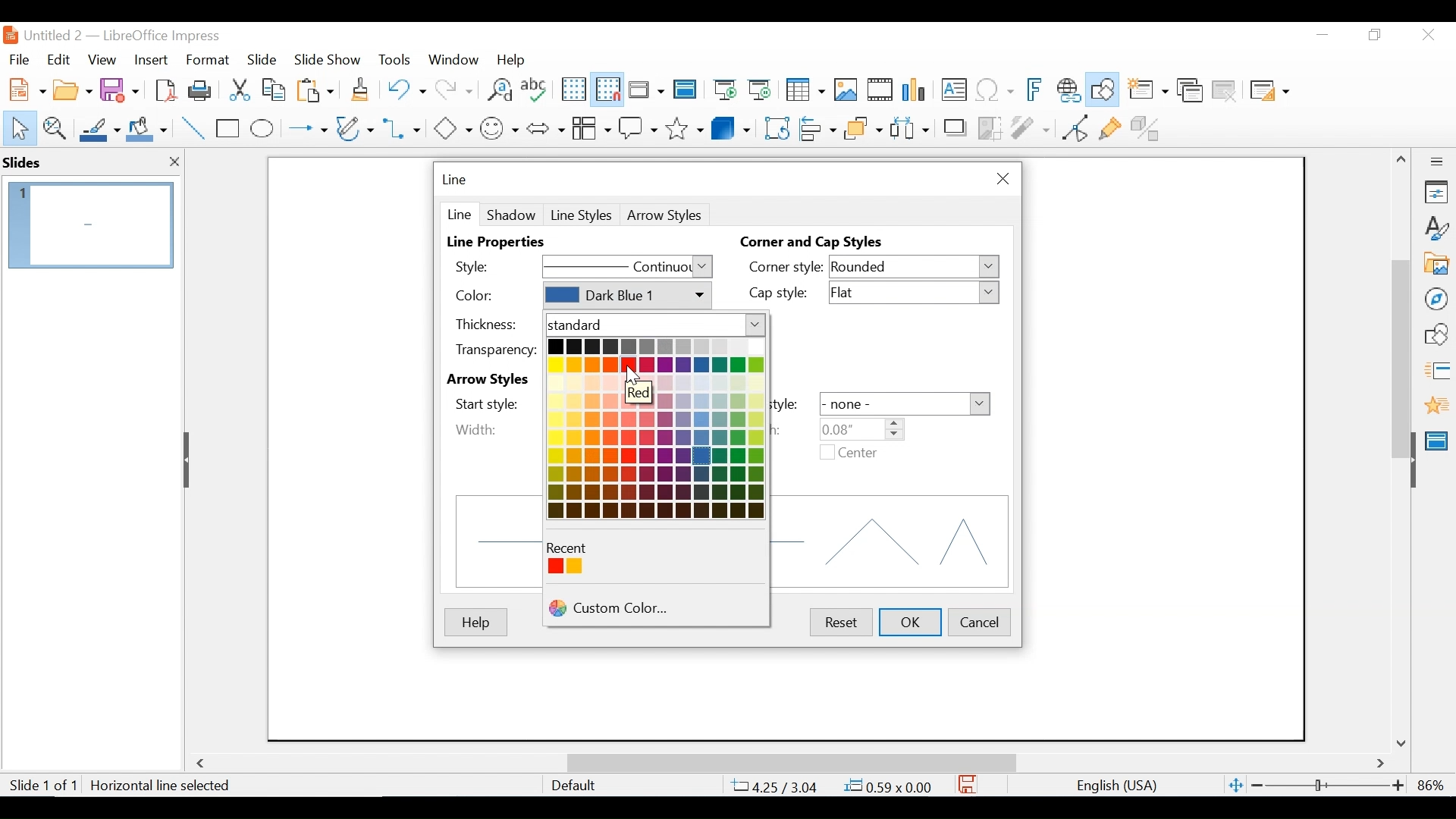 The width and height of the screenshot is (1456, 819). I want to click on Cancel, so click(980, 620).